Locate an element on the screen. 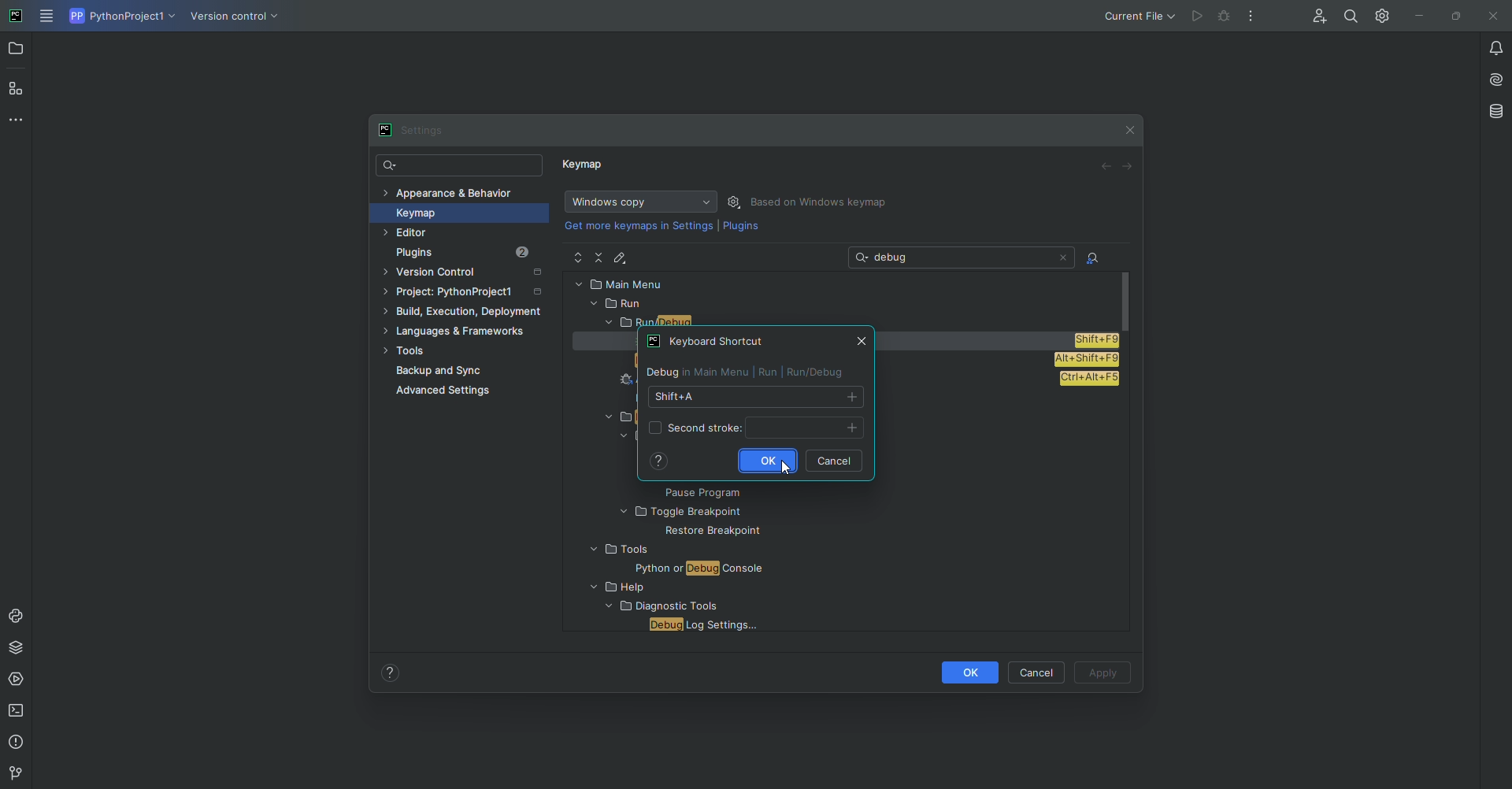  scroll bar is located at coordinates (1128, 299).